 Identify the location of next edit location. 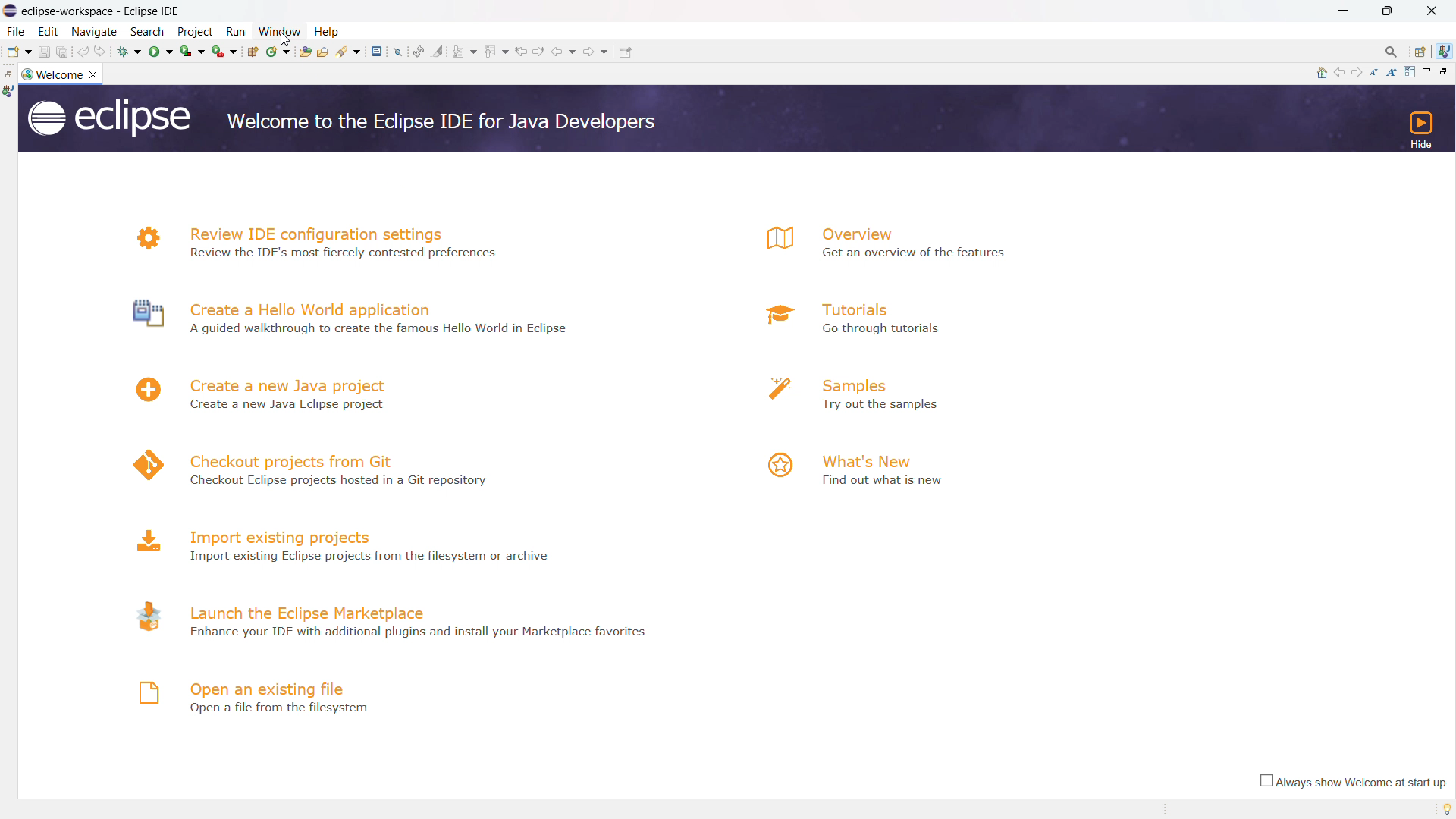
(540, 51).